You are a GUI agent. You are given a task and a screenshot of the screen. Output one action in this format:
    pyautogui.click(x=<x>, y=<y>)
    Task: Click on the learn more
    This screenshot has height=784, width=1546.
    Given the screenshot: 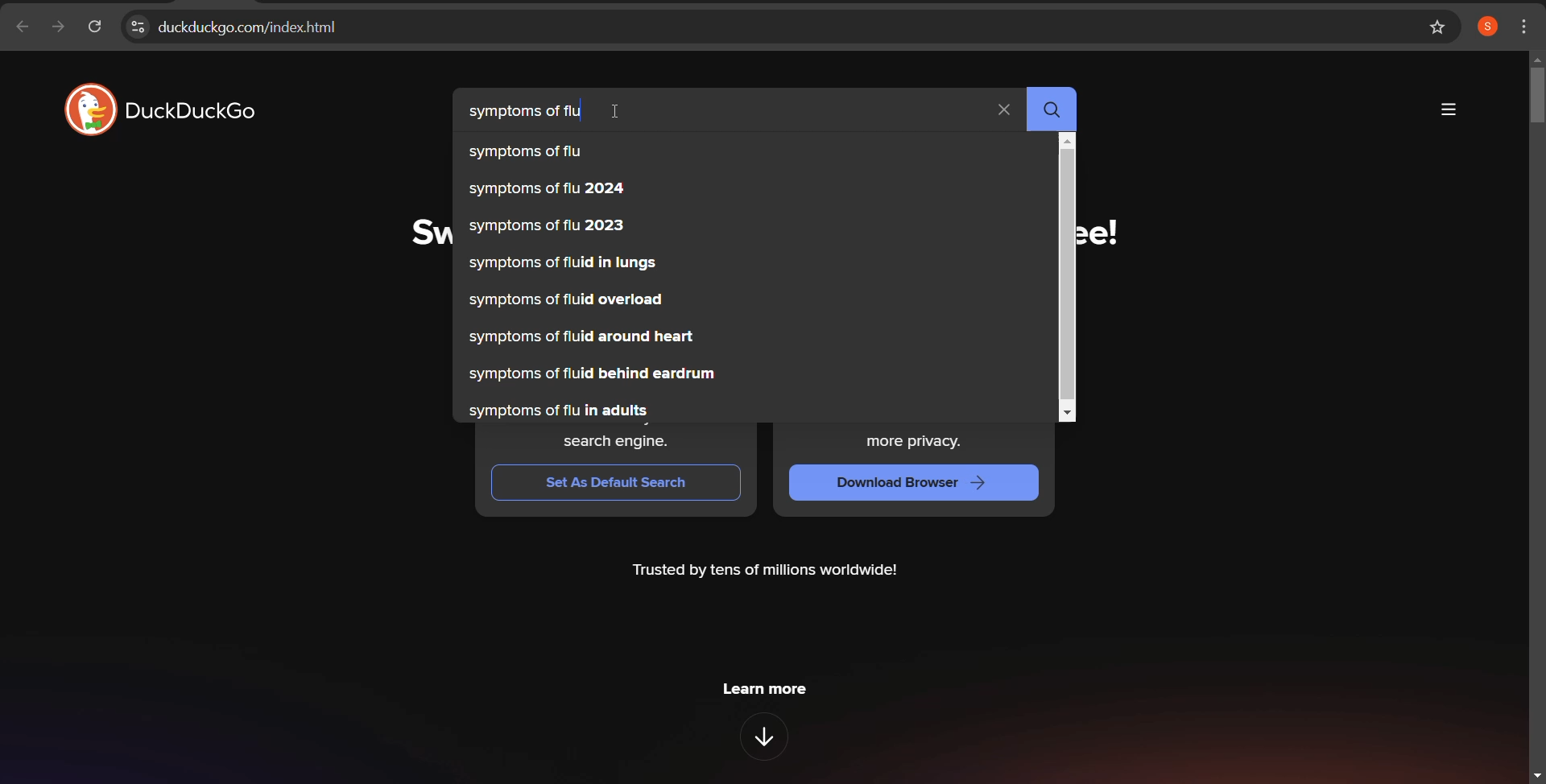 What is the action you would take?
    pyautogui.click(x=775, y=691)
    